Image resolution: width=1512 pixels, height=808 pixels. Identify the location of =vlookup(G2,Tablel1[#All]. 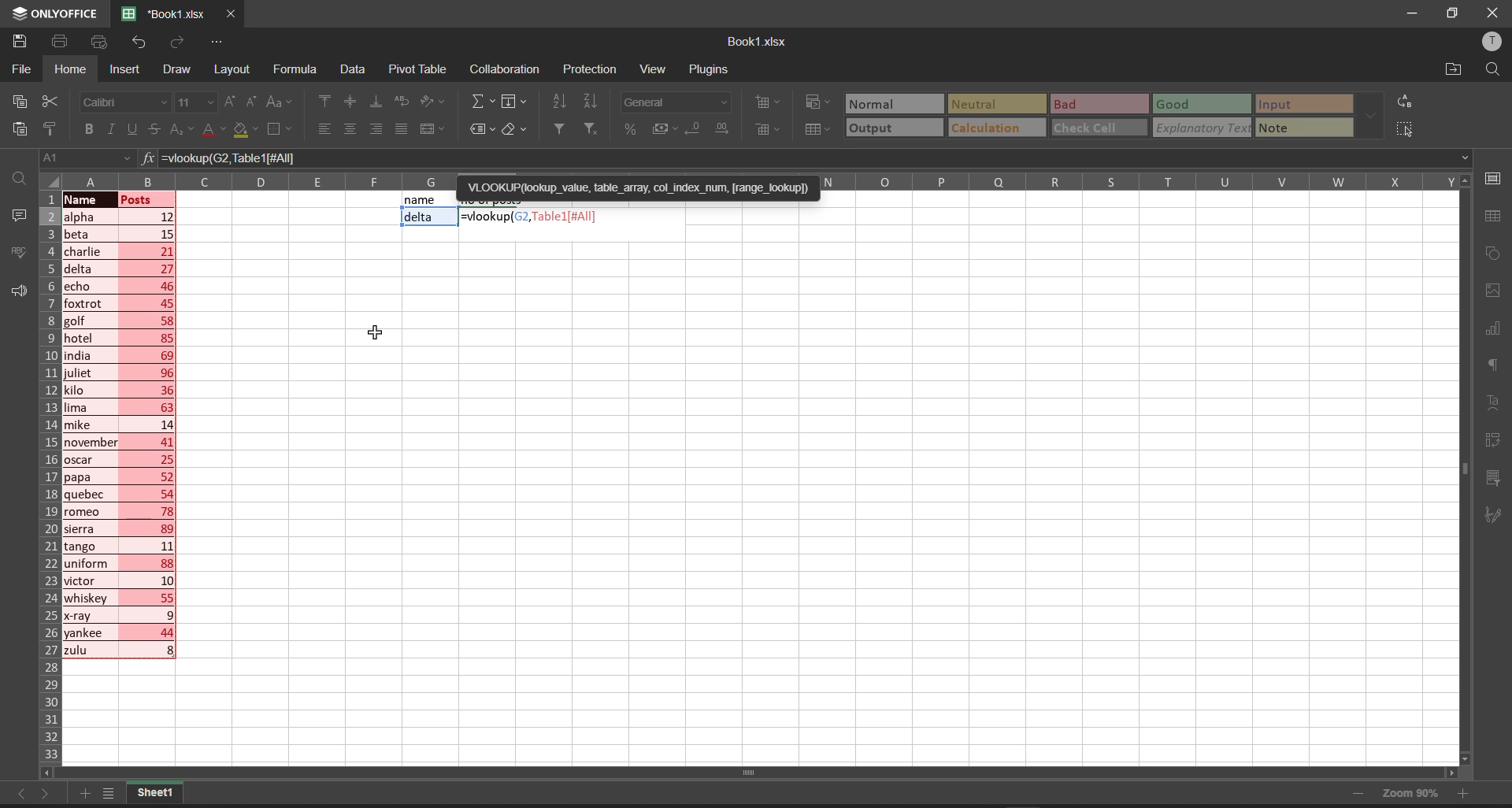
(528, 217).